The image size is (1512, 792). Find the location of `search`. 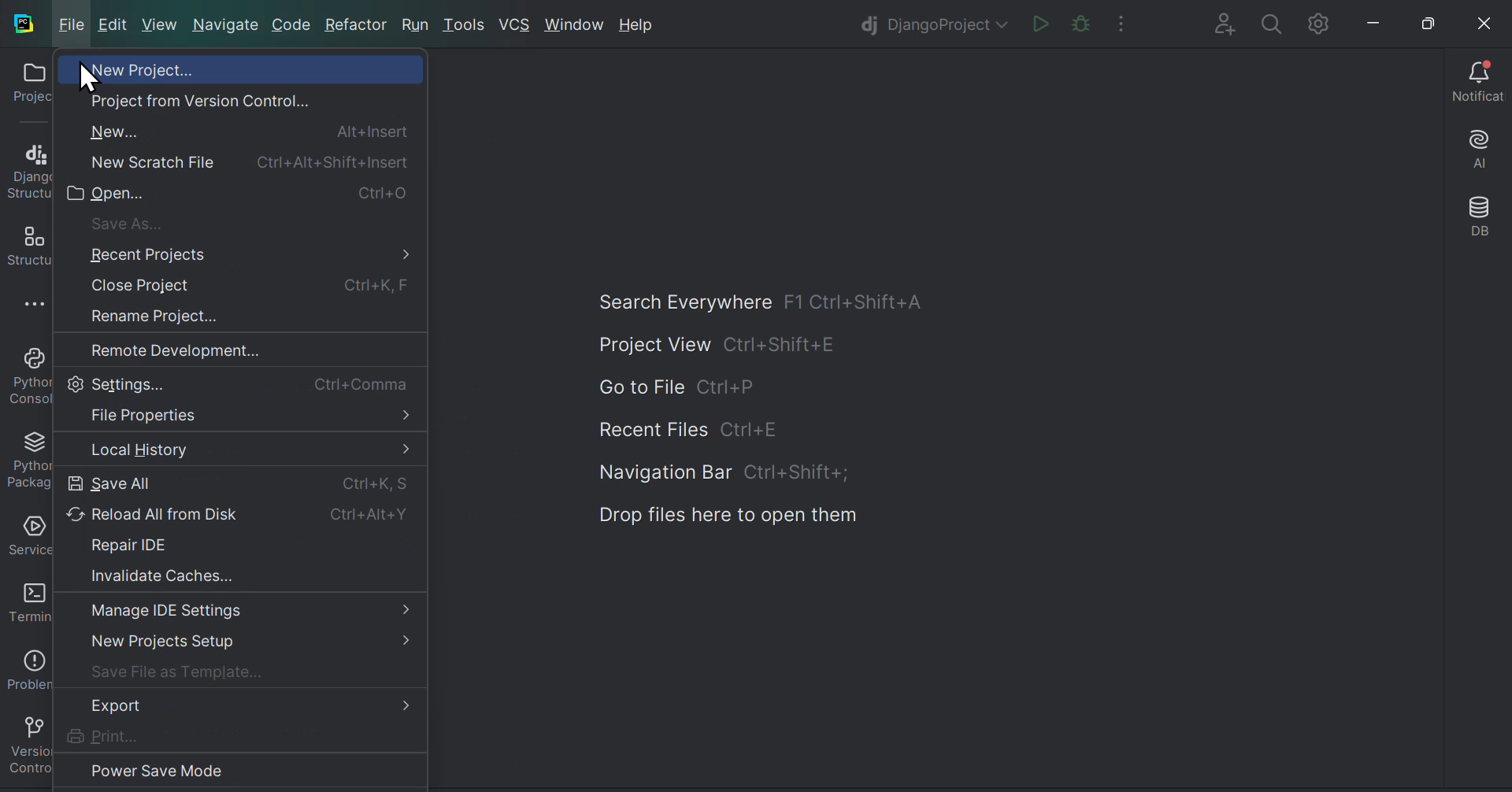

search is located at coordinates (1268, 21).